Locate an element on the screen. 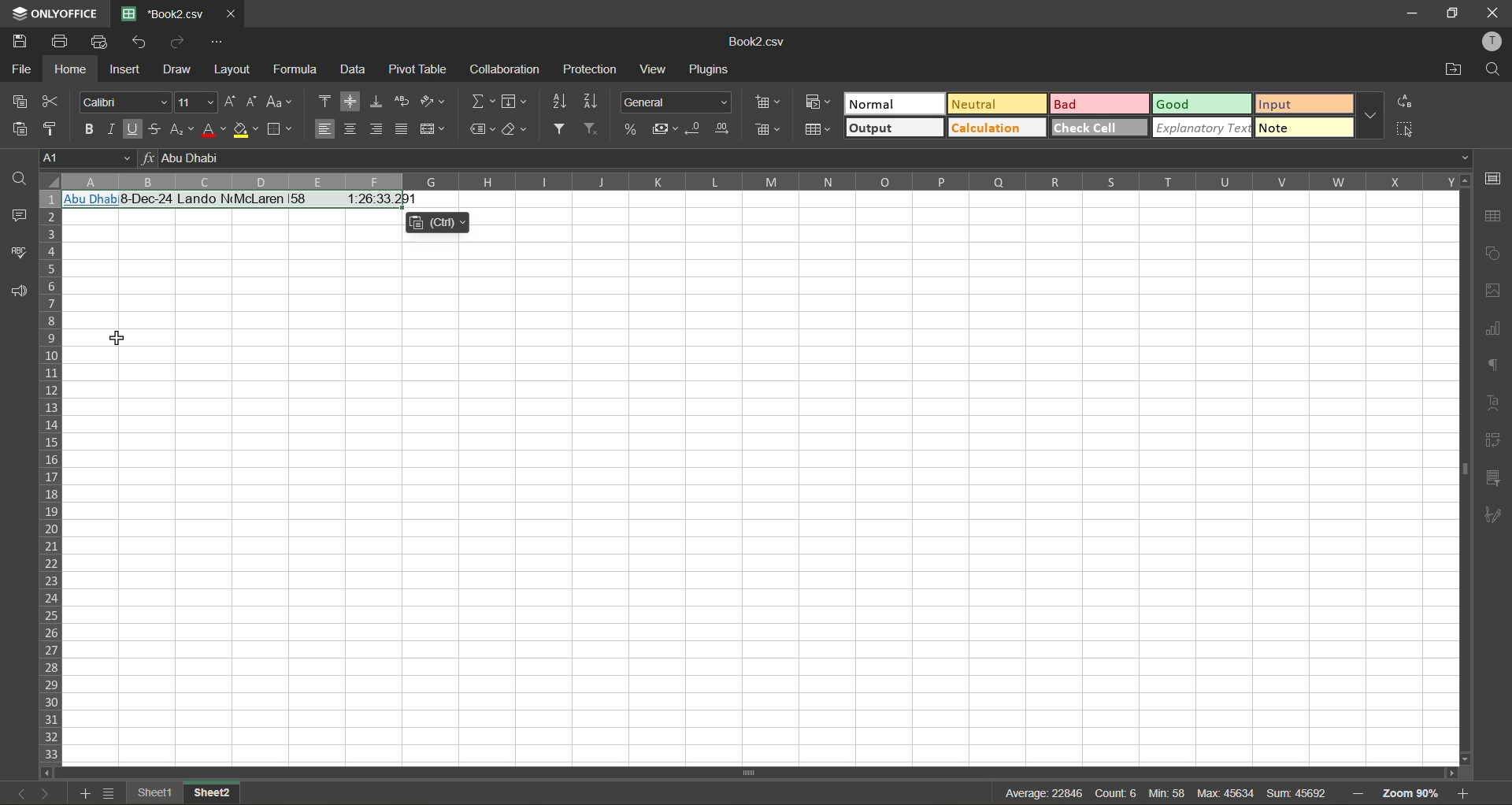 The image size is (1512, 805). named ranges is located at coordinates (482, 128).